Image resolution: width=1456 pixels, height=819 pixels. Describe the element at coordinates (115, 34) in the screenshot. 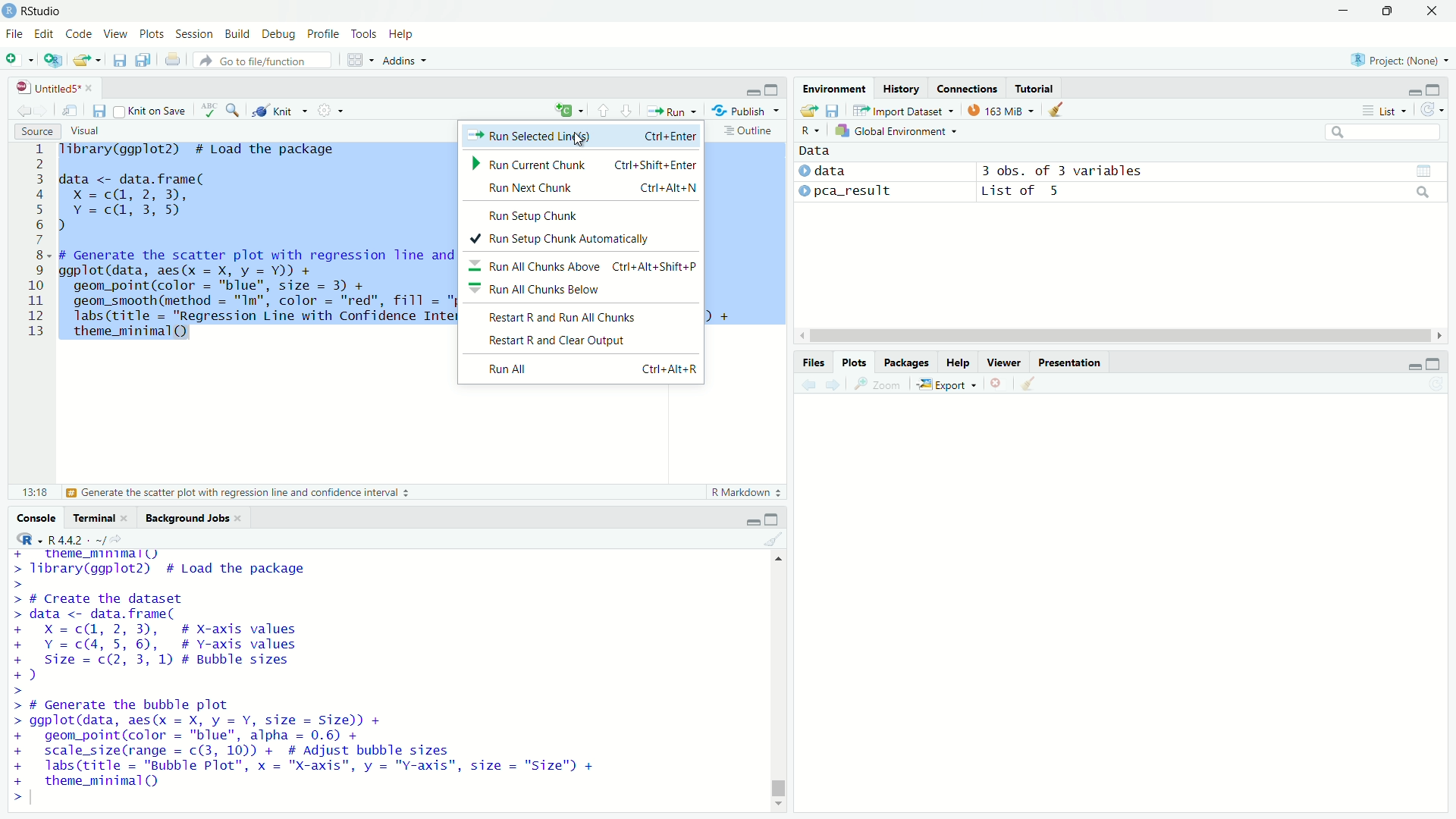

I see `View` at that location.